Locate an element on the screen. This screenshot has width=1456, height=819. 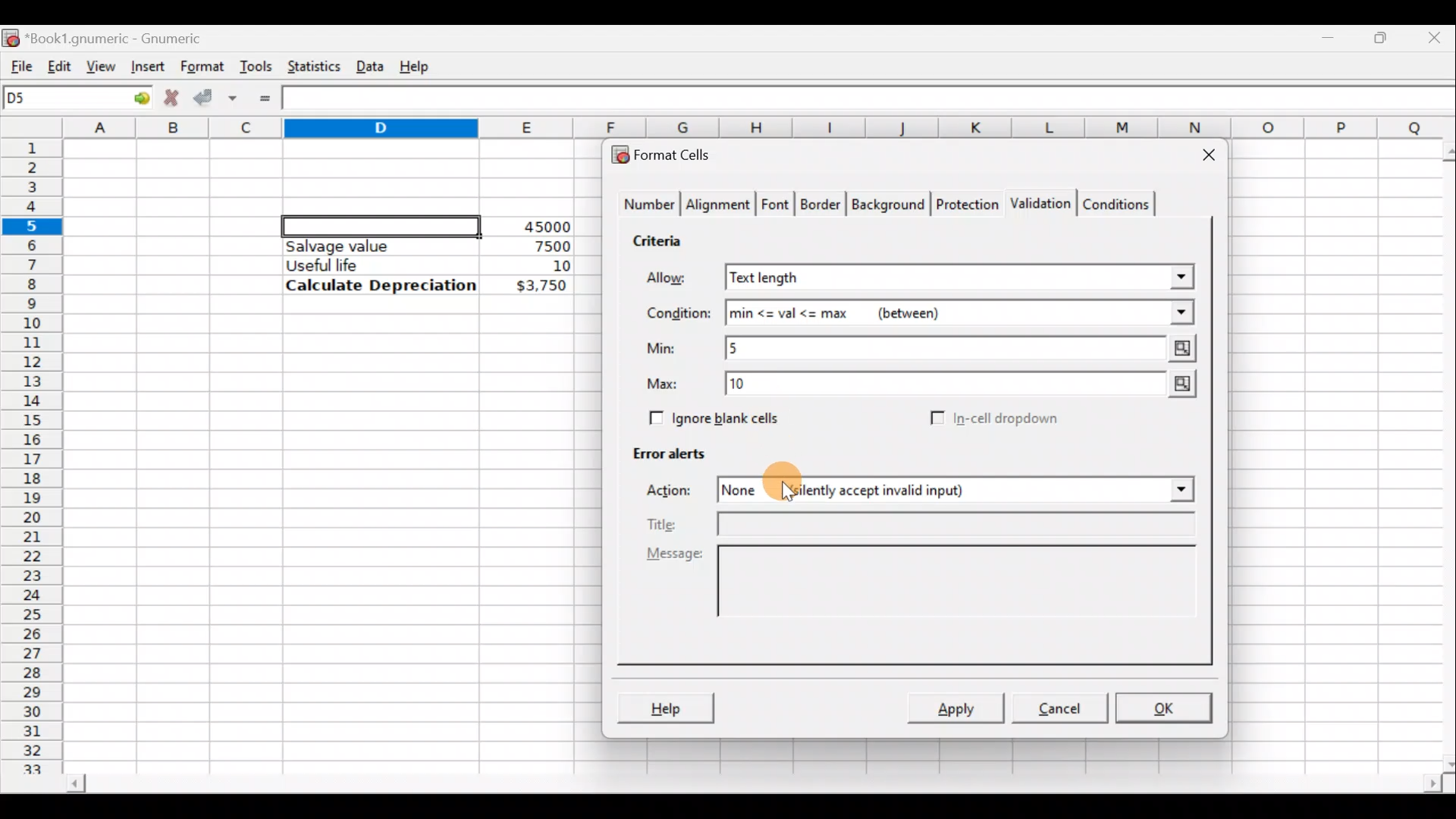
Scroll bar is located at coordinates (752, 786).